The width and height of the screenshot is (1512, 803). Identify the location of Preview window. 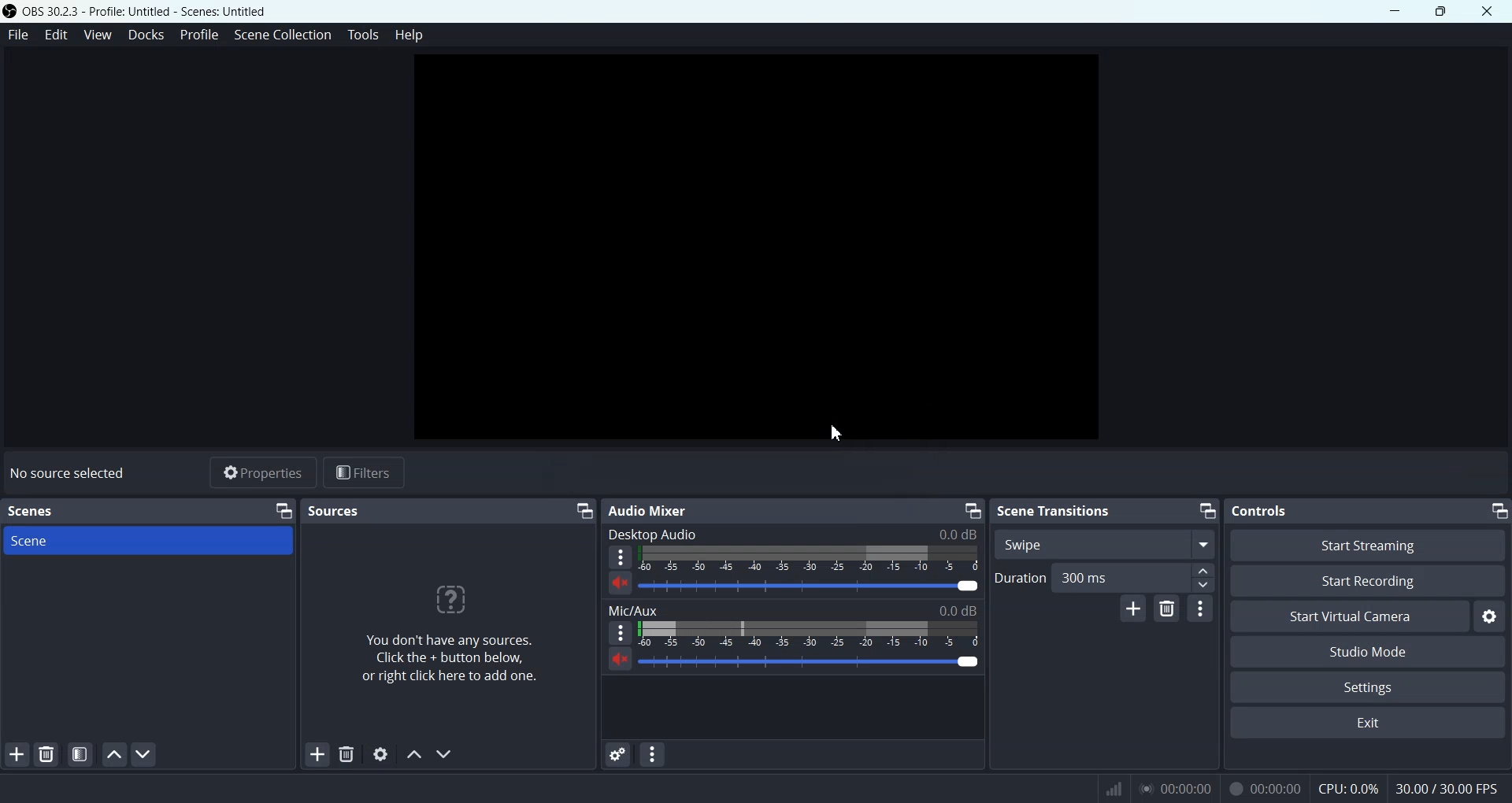
(762, 249).